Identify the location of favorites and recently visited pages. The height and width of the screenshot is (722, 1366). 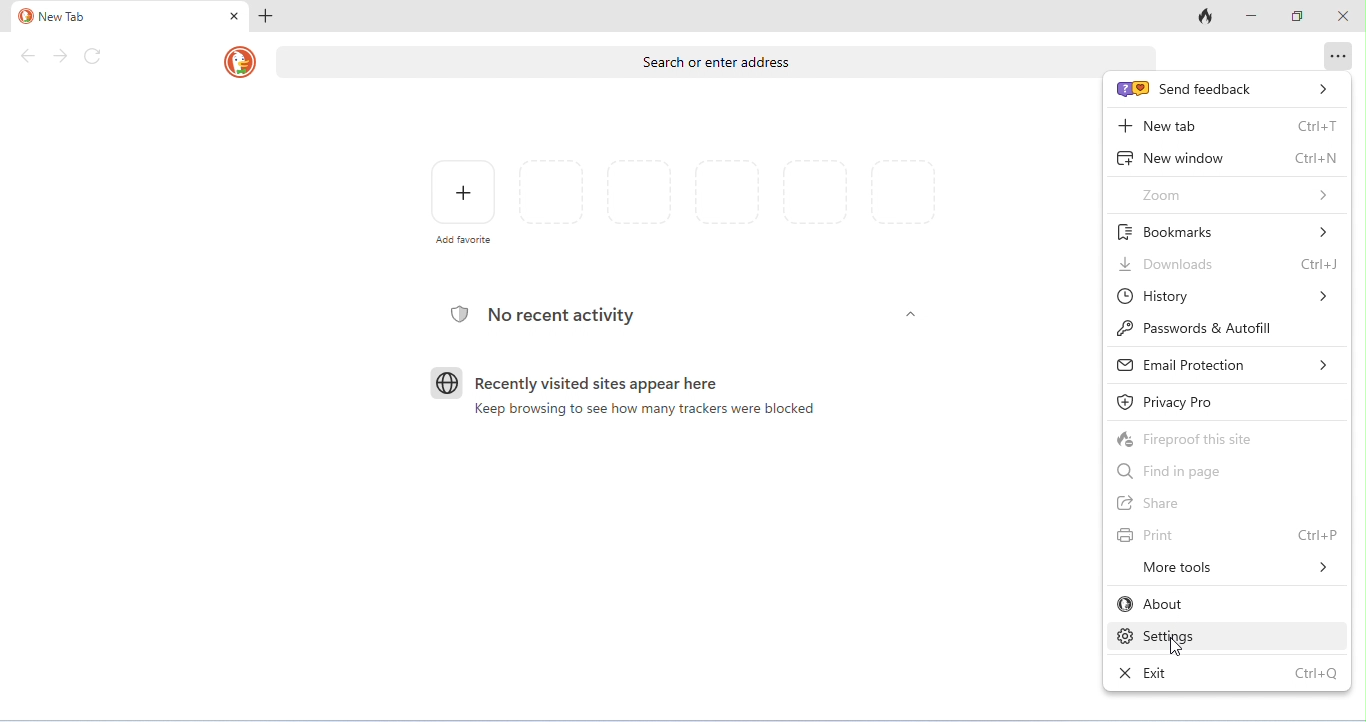
(727, 195).